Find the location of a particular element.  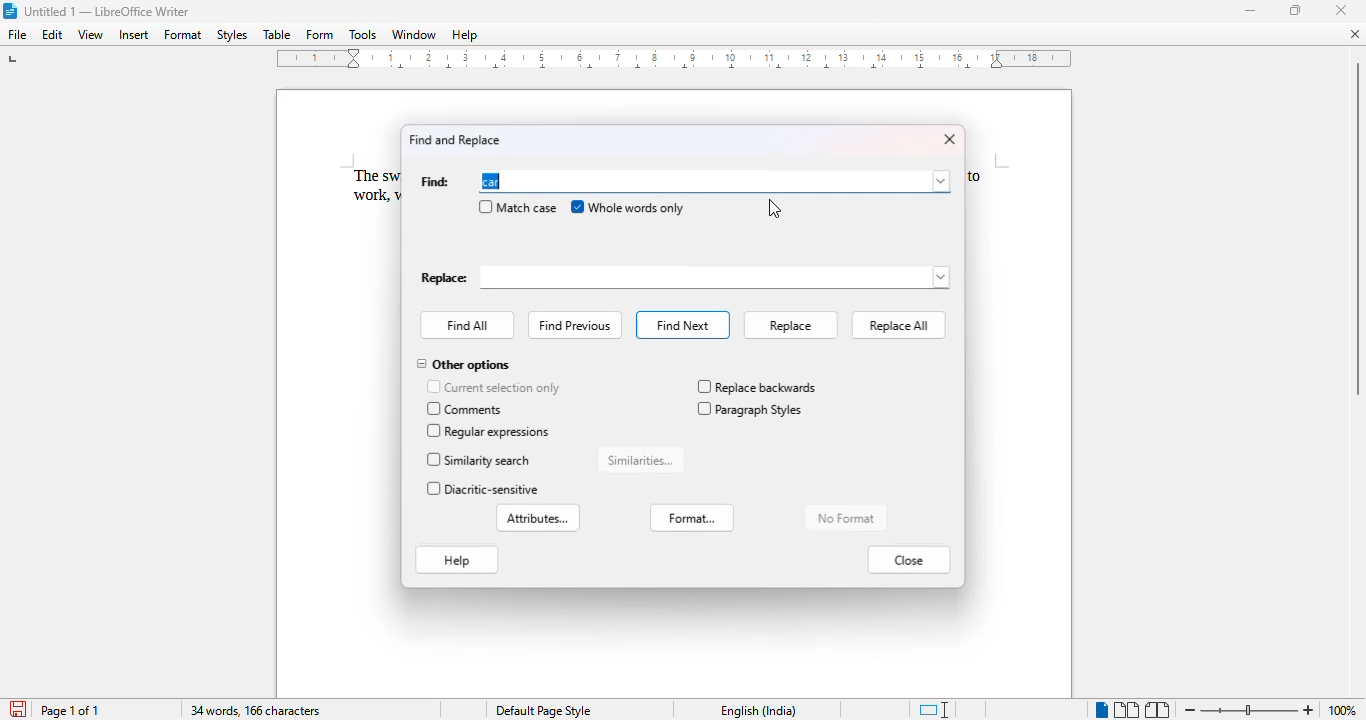

book view is located at coordinates (1159, 711).